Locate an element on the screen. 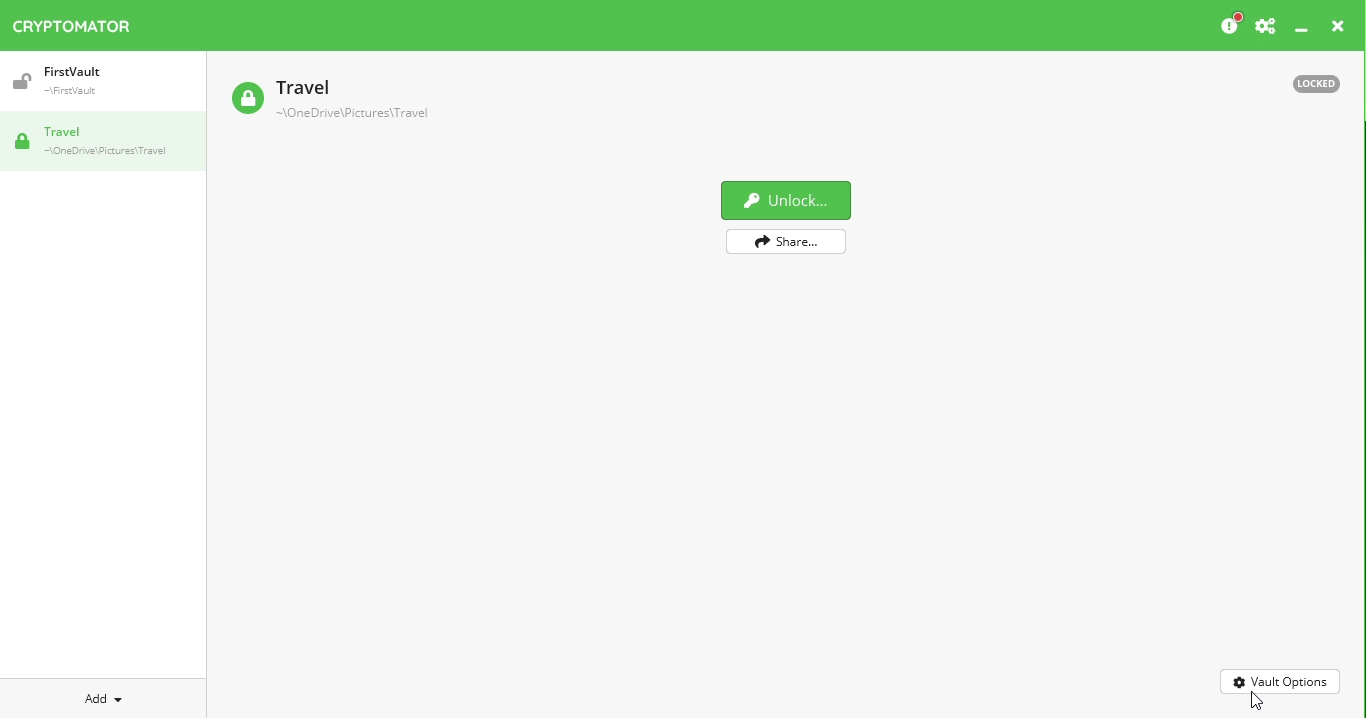 The image size is (1366, 718). Vault is located at coordinates (68, 79).